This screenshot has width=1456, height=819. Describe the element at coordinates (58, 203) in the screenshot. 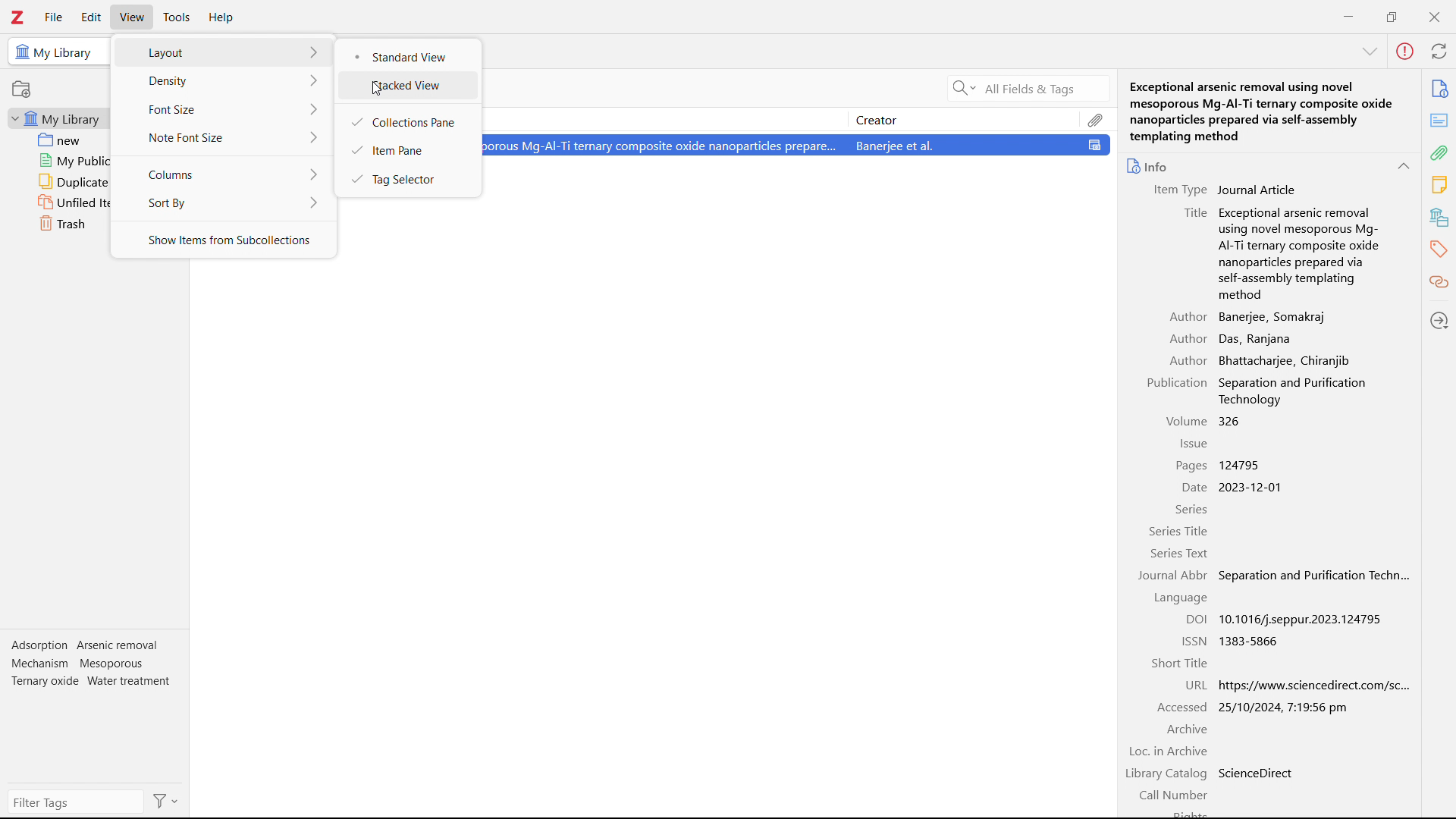

I see `unfiled items` at that location.